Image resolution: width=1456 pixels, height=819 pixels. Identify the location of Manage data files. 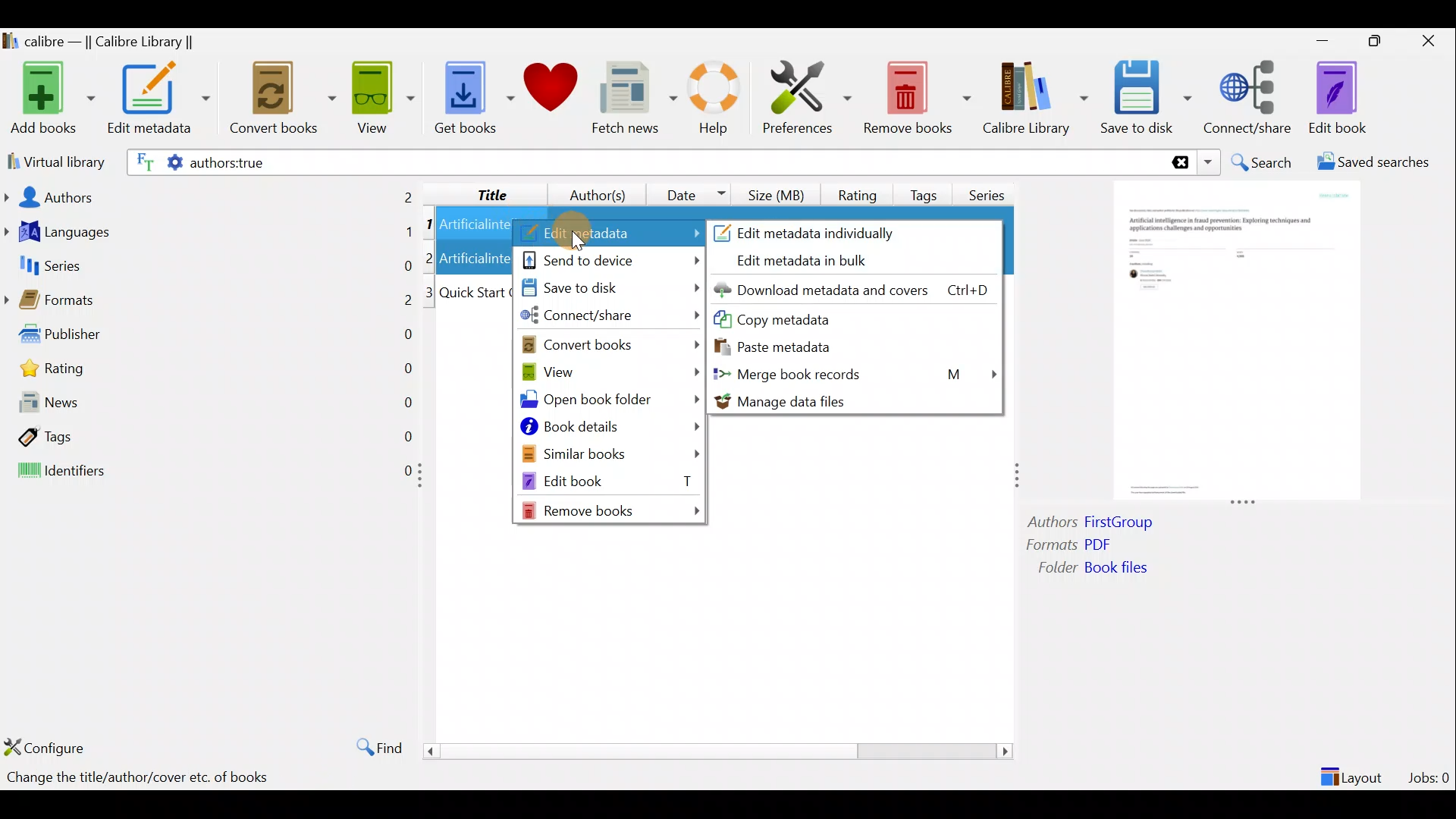
(853, 401).